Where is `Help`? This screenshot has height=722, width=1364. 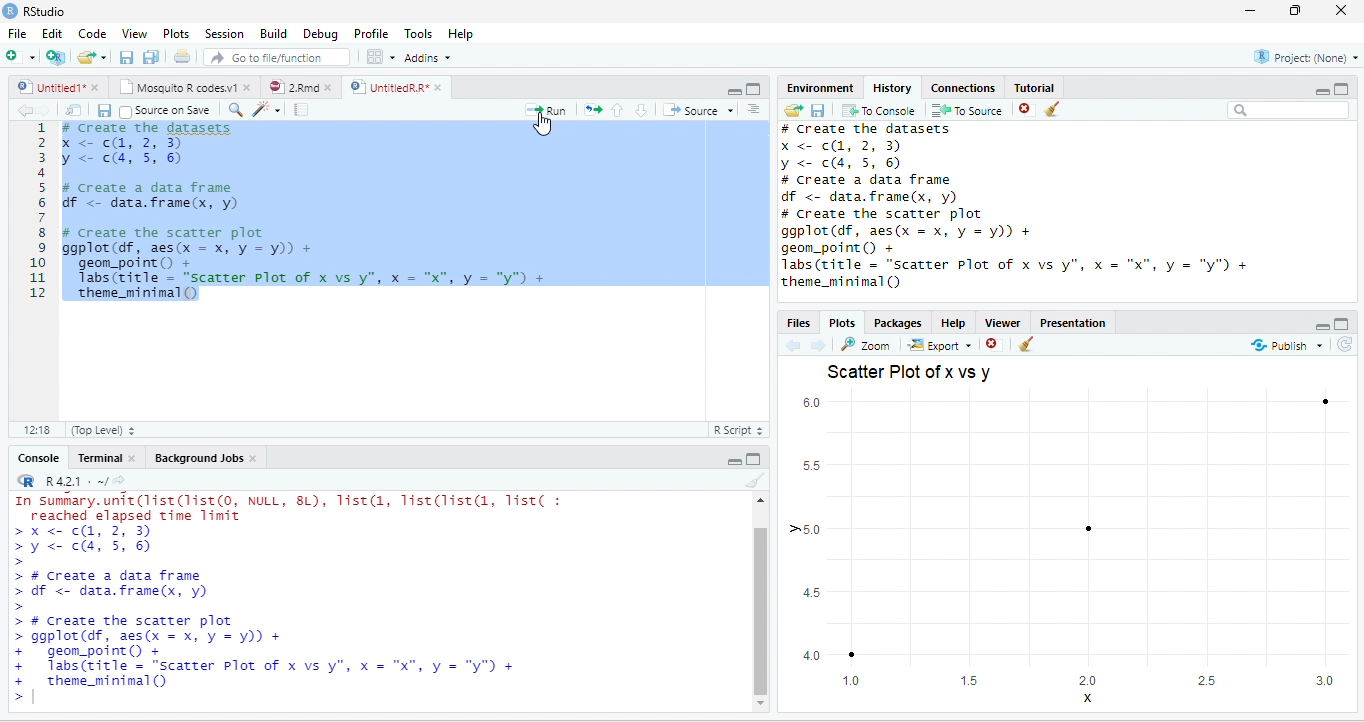 Help is located at coordinates (953, 322).